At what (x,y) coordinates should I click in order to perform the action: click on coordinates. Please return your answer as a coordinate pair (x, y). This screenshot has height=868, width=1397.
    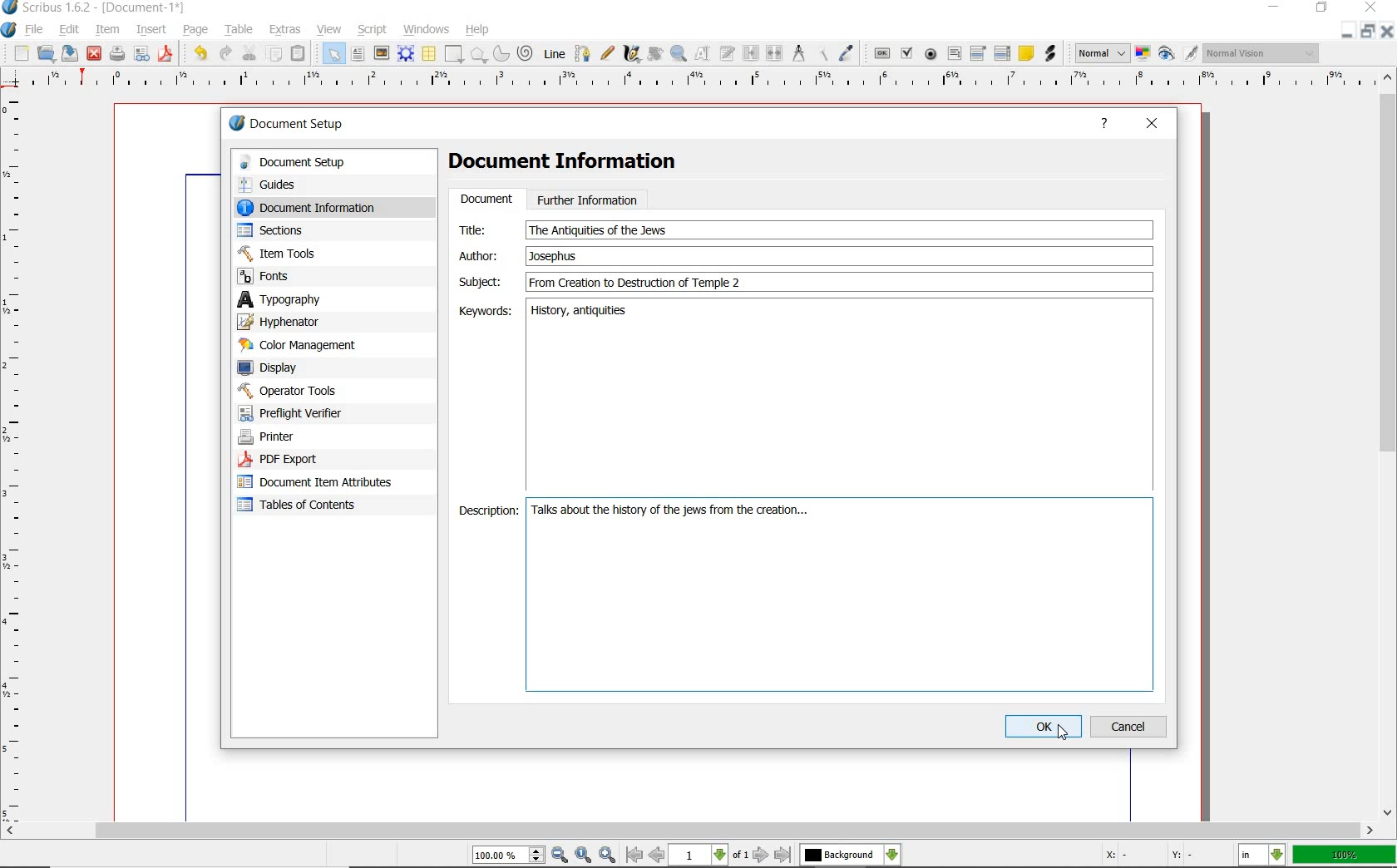
    Looking at the image, I should click on (1147, 856).